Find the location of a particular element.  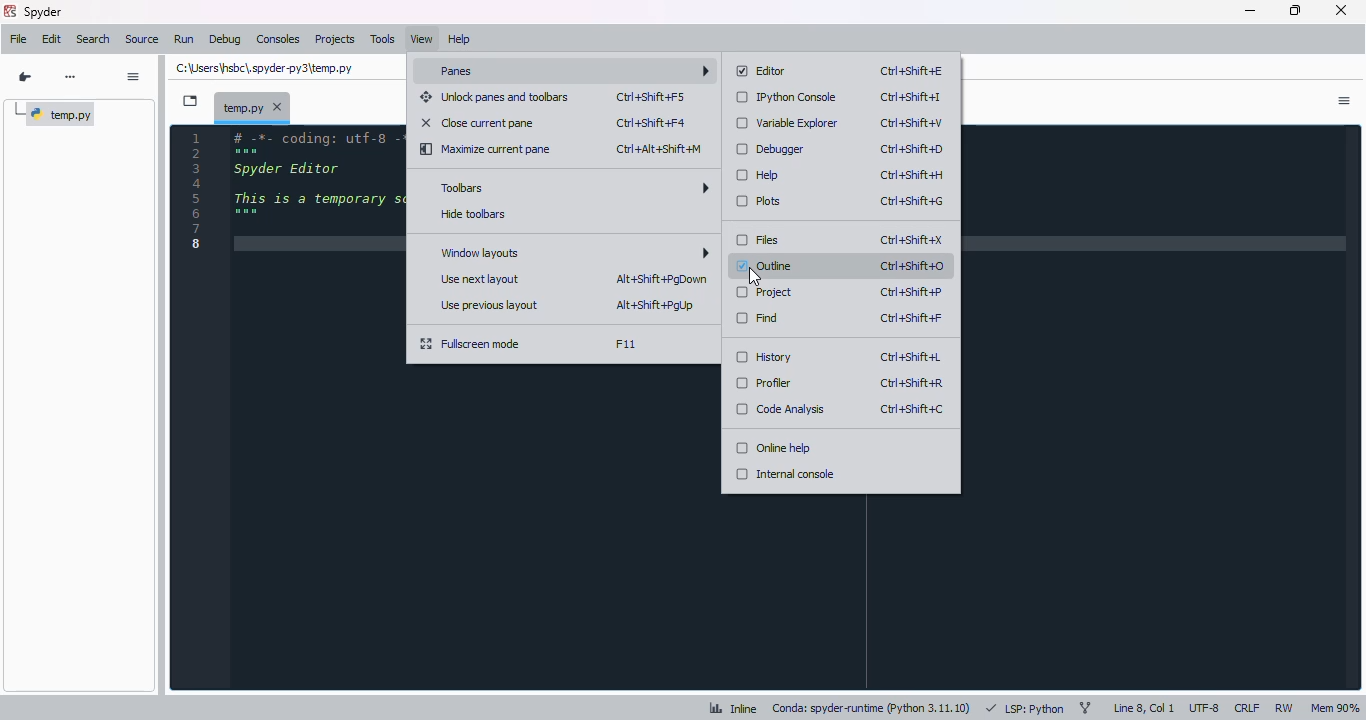

plots is located at coordinates (760, 201).